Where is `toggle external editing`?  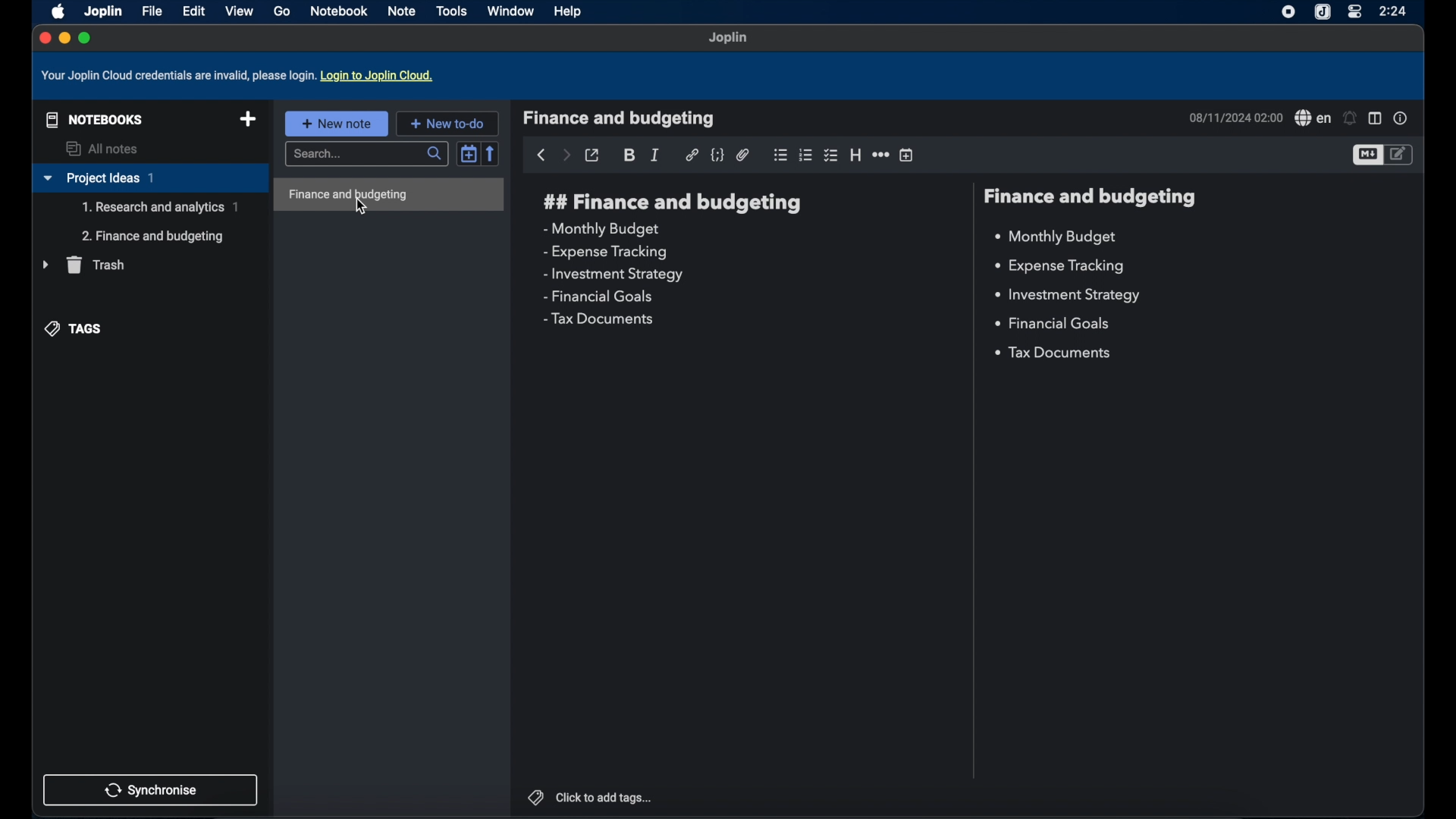
toggle external editing is located at coordinates (593, 155).